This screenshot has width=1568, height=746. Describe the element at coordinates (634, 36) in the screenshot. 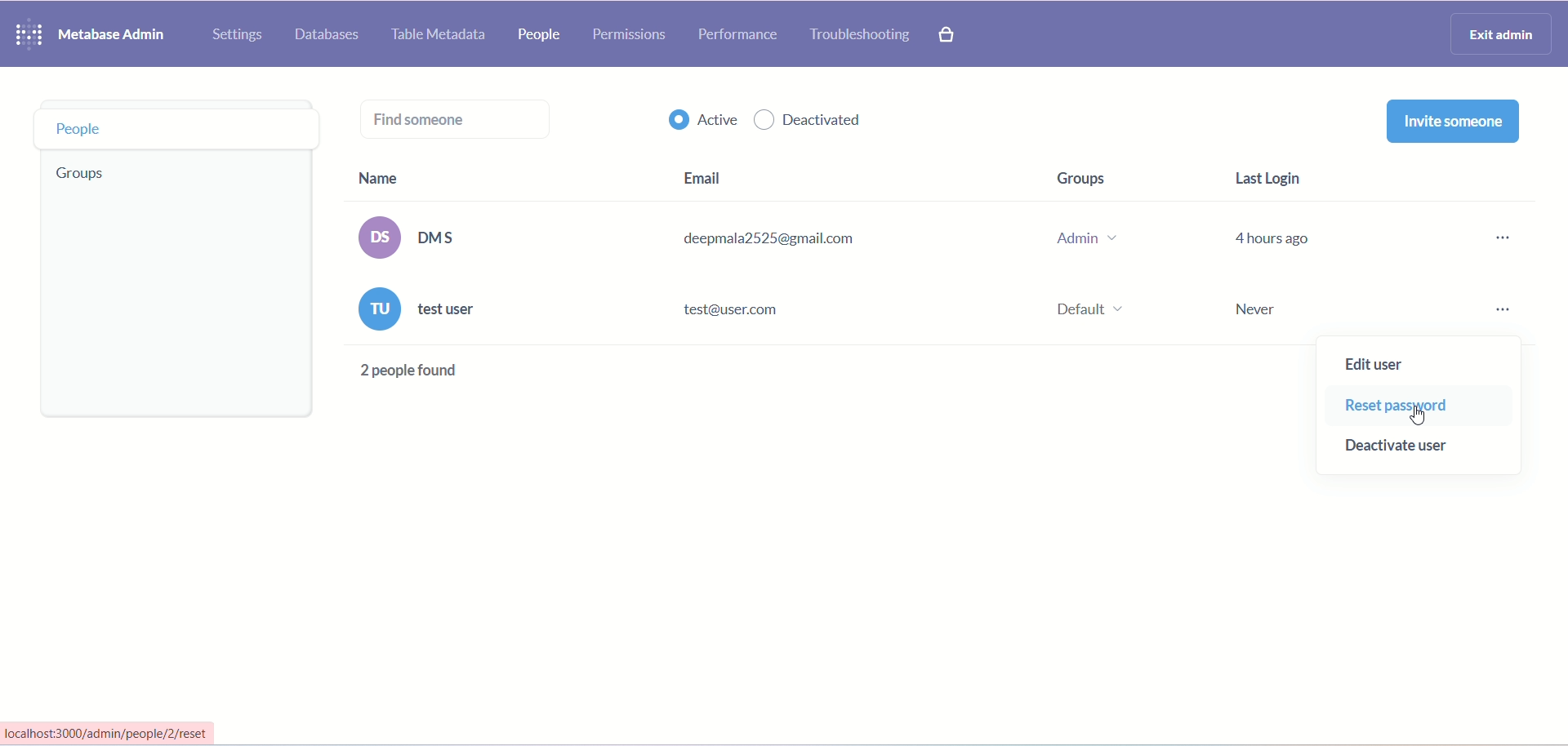

I see `permissions` at that location.